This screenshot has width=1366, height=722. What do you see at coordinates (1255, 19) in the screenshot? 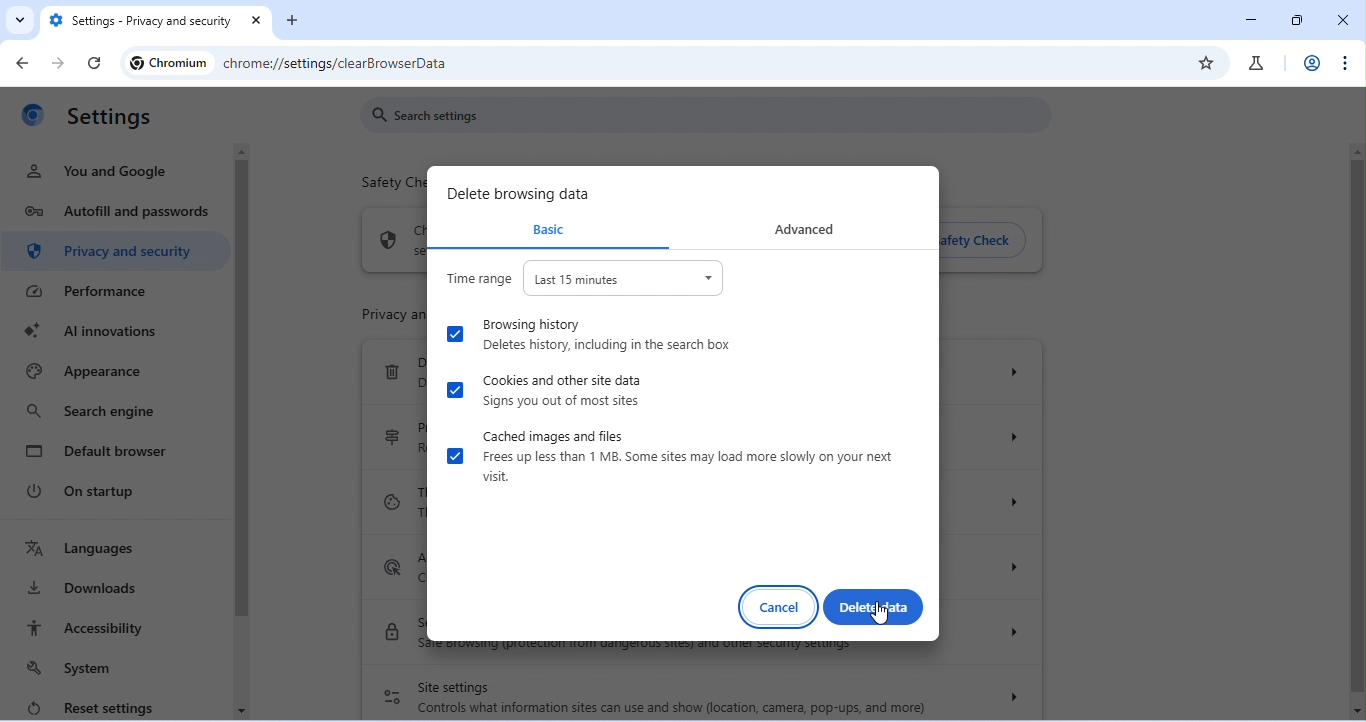
I see `minimize` at bounding box center [1255, 19].